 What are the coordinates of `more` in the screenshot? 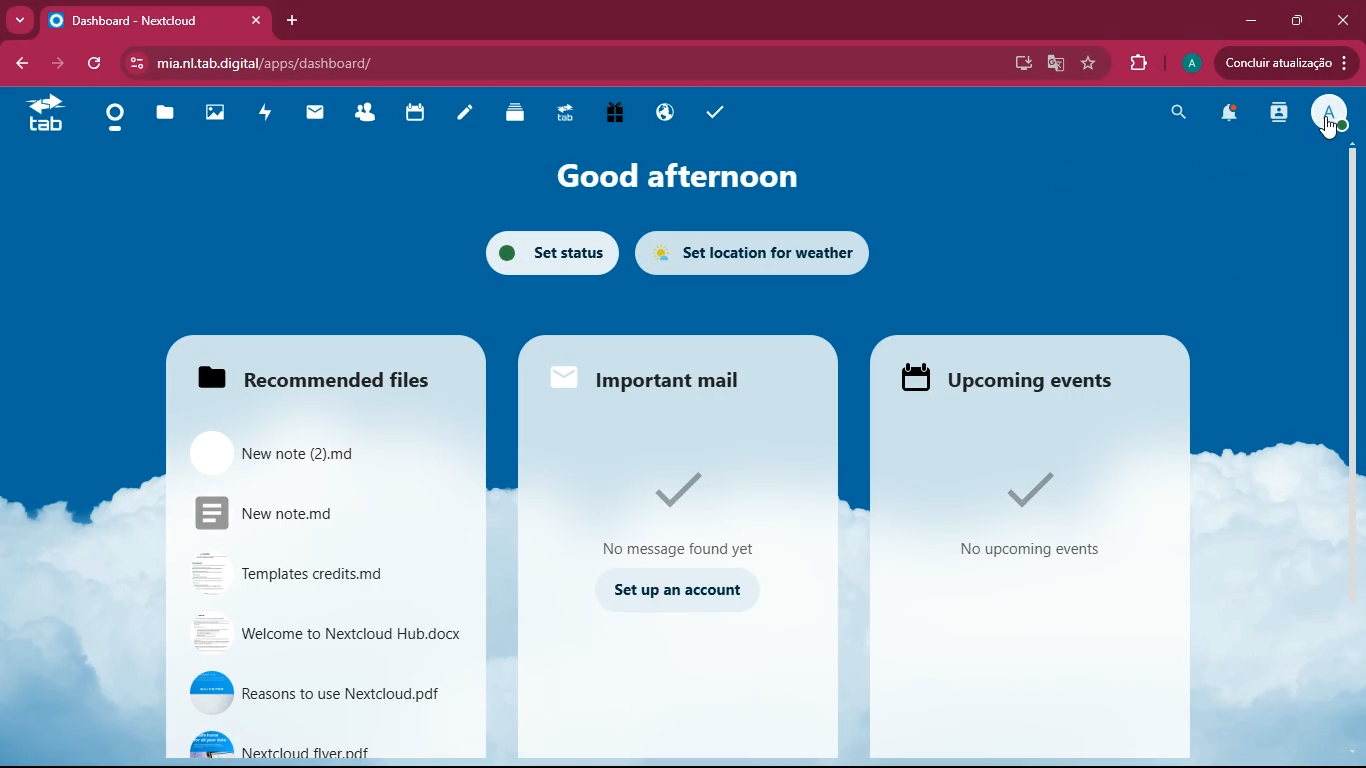 It's located at (20, 20).